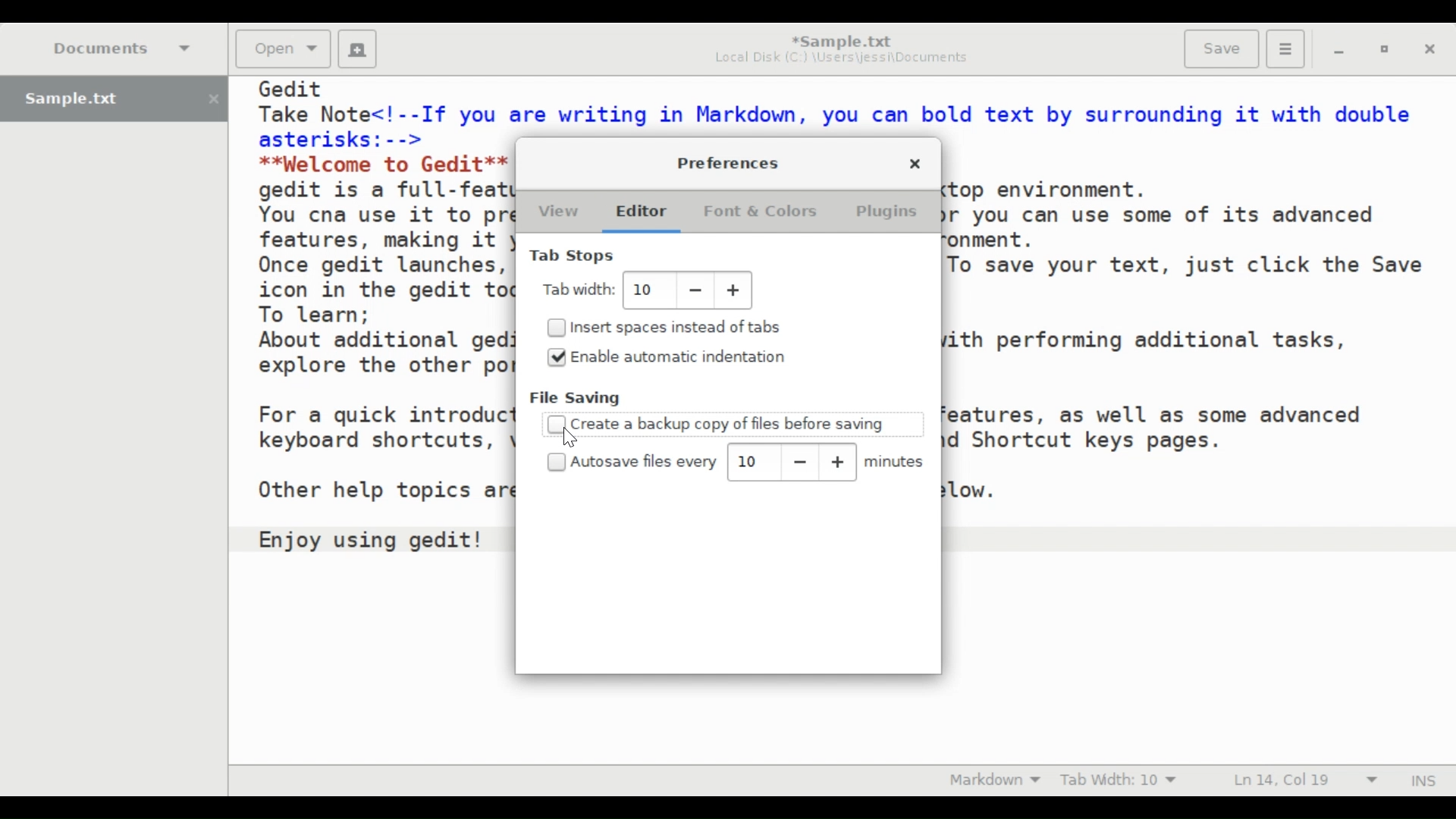  I want to click on (un)select Insert spaces instead of tabs, so click(672, 326).